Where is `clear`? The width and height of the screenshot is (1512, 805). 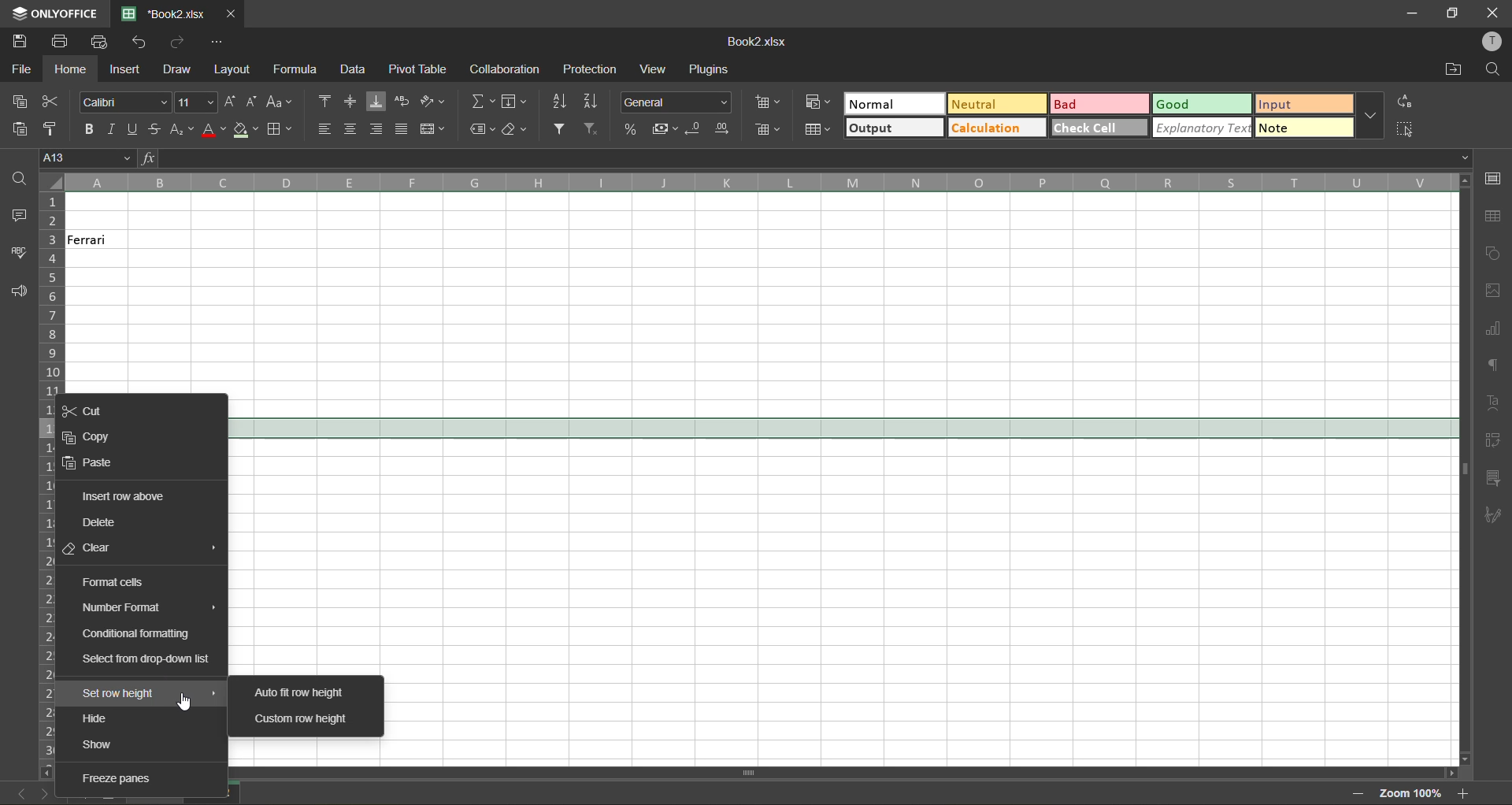
clear is located at coordinates (141, 549).